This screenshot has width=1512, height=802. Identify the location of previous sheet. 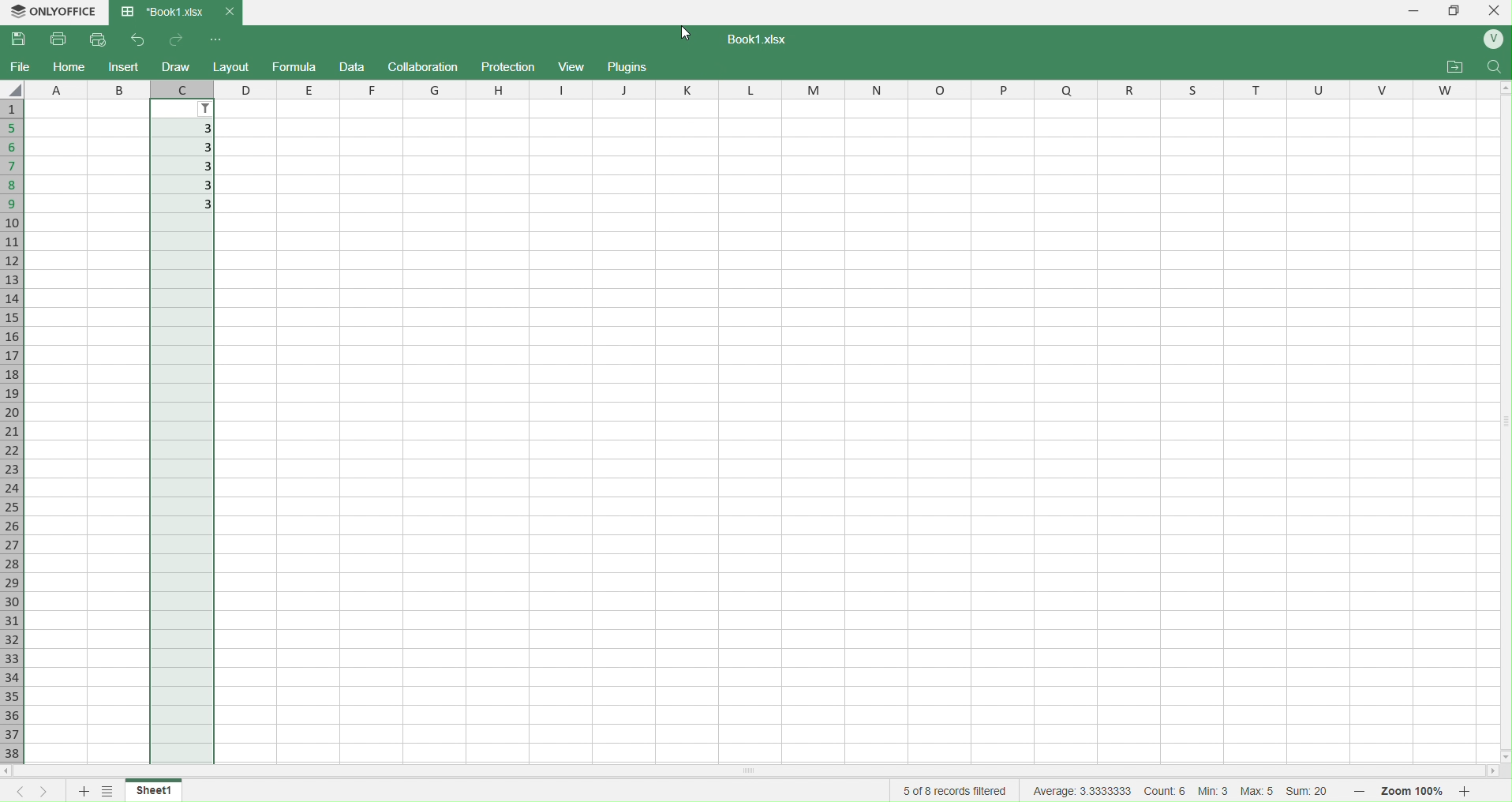
(23, 793).